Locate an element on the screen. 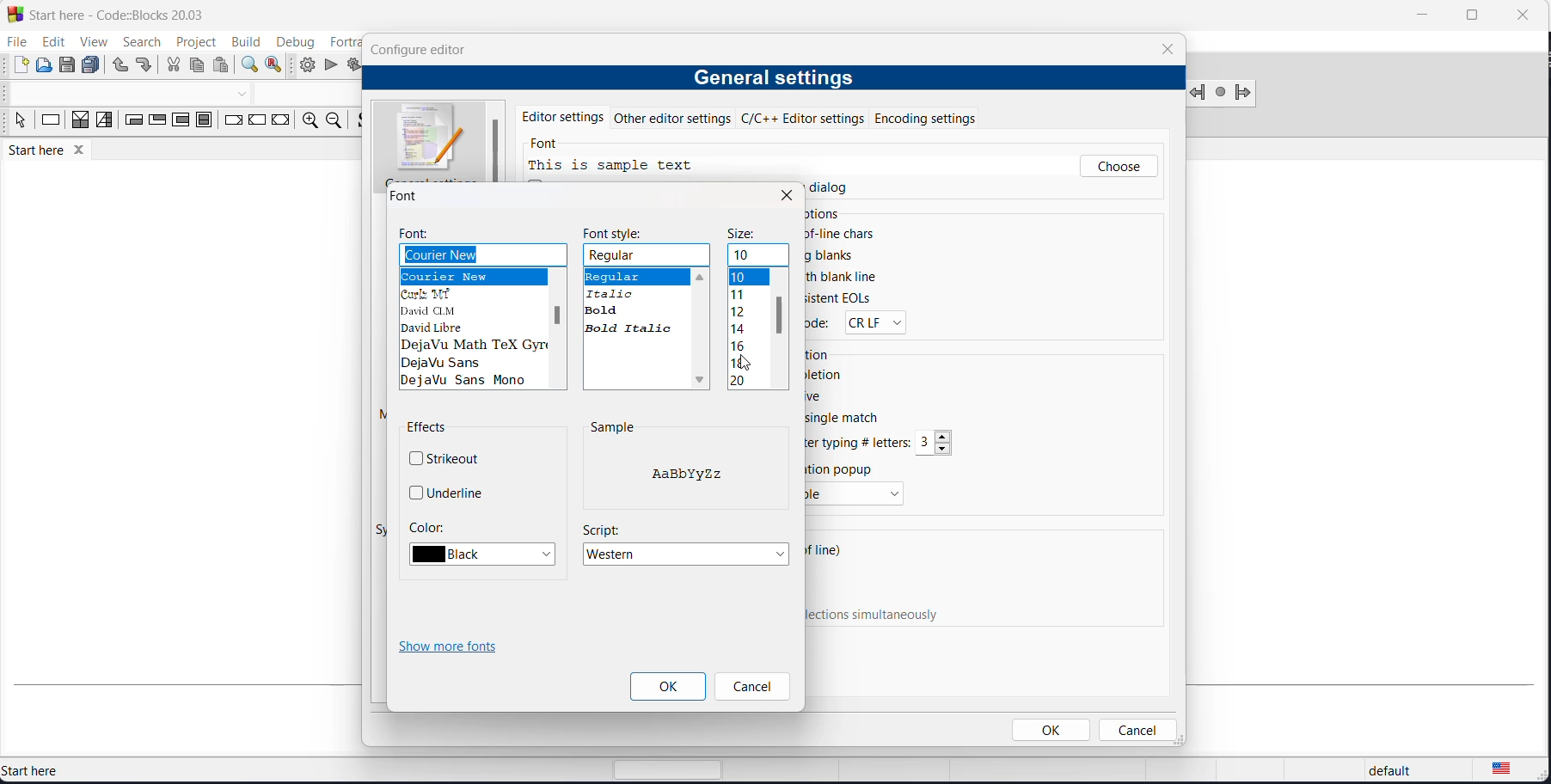 This screenshot has height=784, width=1551. jump next is located at coordinates (1220, 93).